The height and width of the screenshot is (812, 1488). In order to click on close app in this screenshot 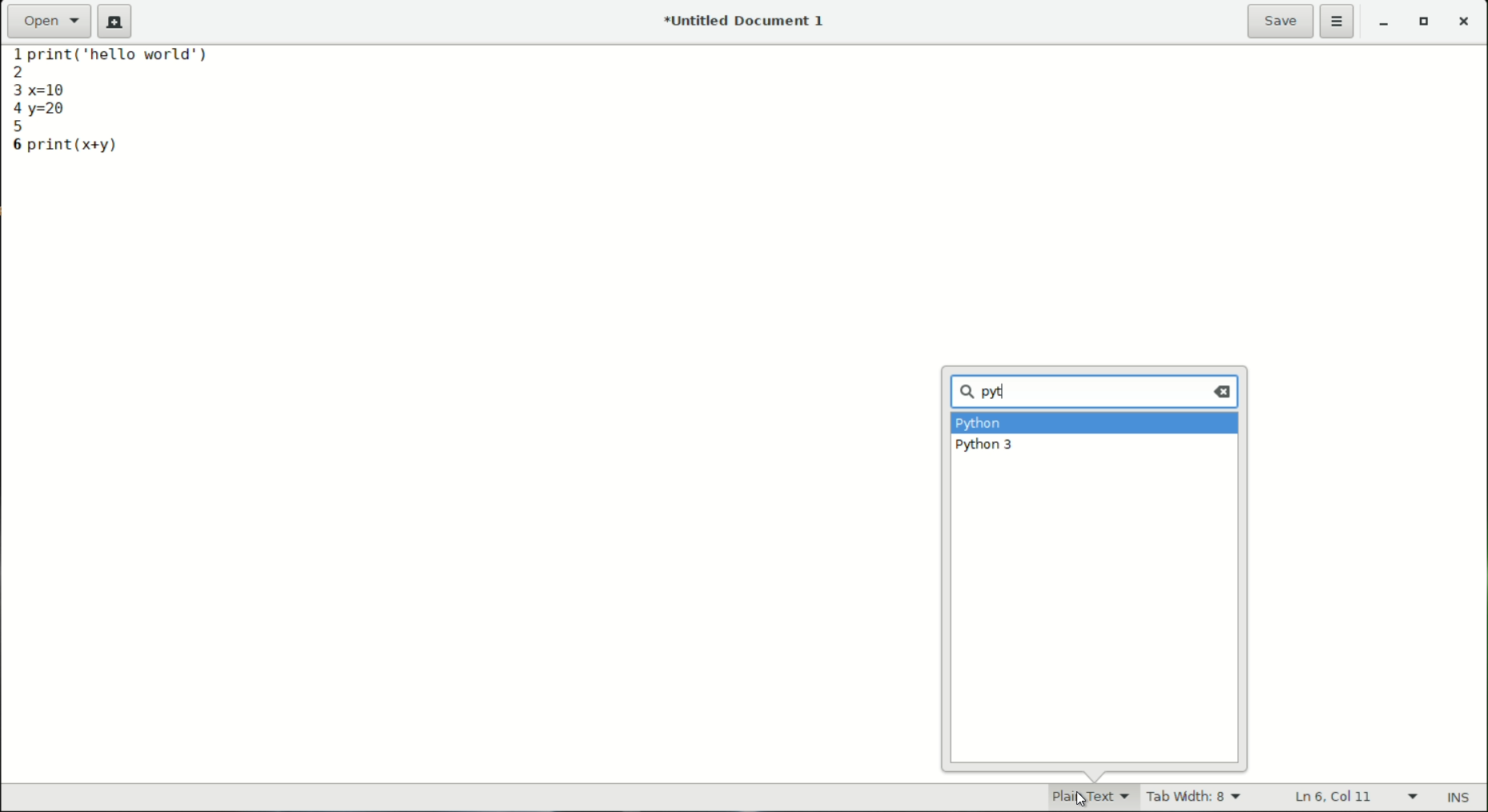, I will do `click(1466, 24)`.